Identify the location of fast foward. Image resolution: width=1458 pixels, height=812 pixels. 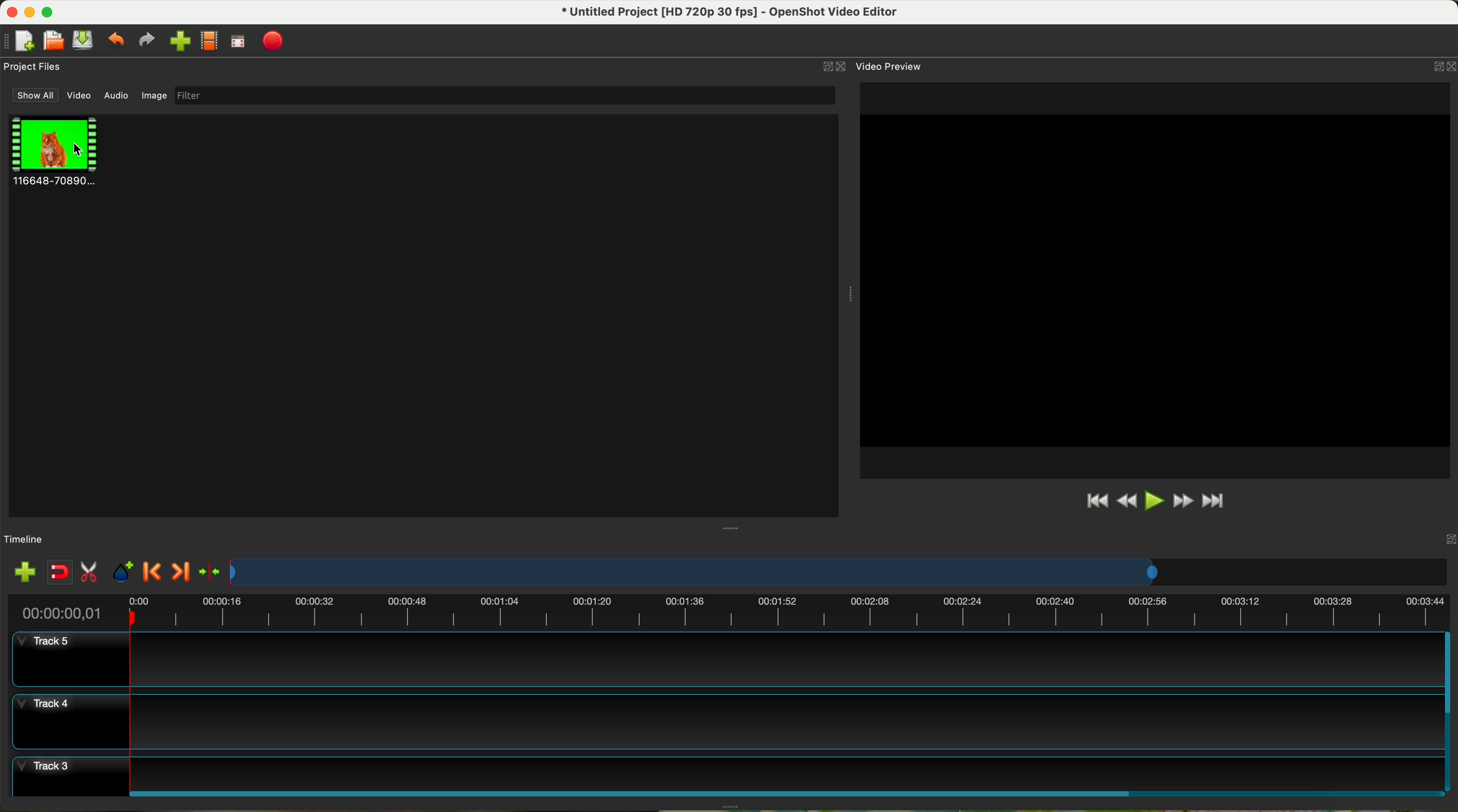
(1183, 501).